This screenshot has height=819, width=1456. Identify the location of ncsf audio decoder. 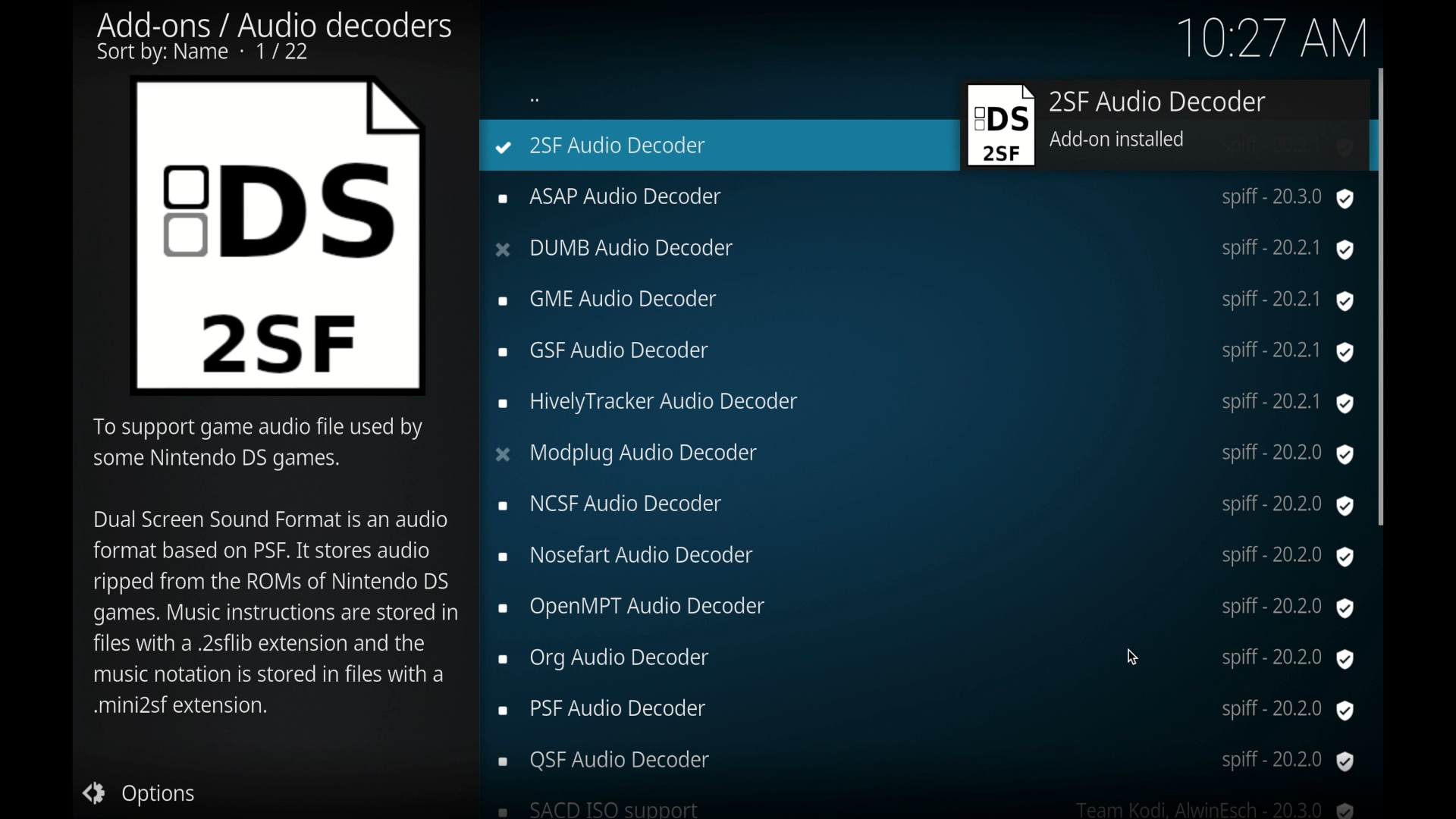
(925, 506).